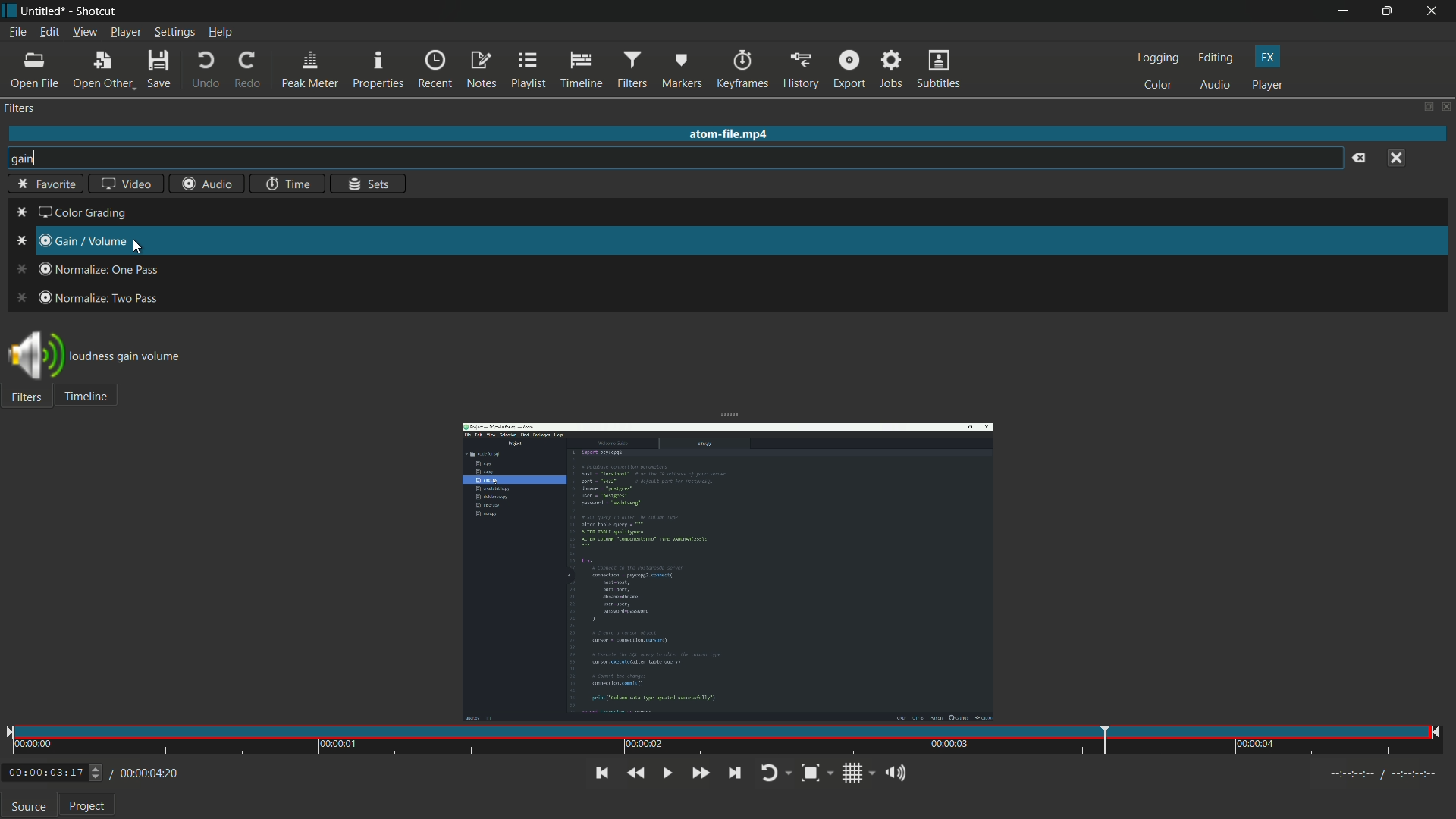 Image resolution: width=1456 pixels, height=819 pixels. Describe the element at coordinates (893, 71) in the screenshot. I see `jobs` at that location.